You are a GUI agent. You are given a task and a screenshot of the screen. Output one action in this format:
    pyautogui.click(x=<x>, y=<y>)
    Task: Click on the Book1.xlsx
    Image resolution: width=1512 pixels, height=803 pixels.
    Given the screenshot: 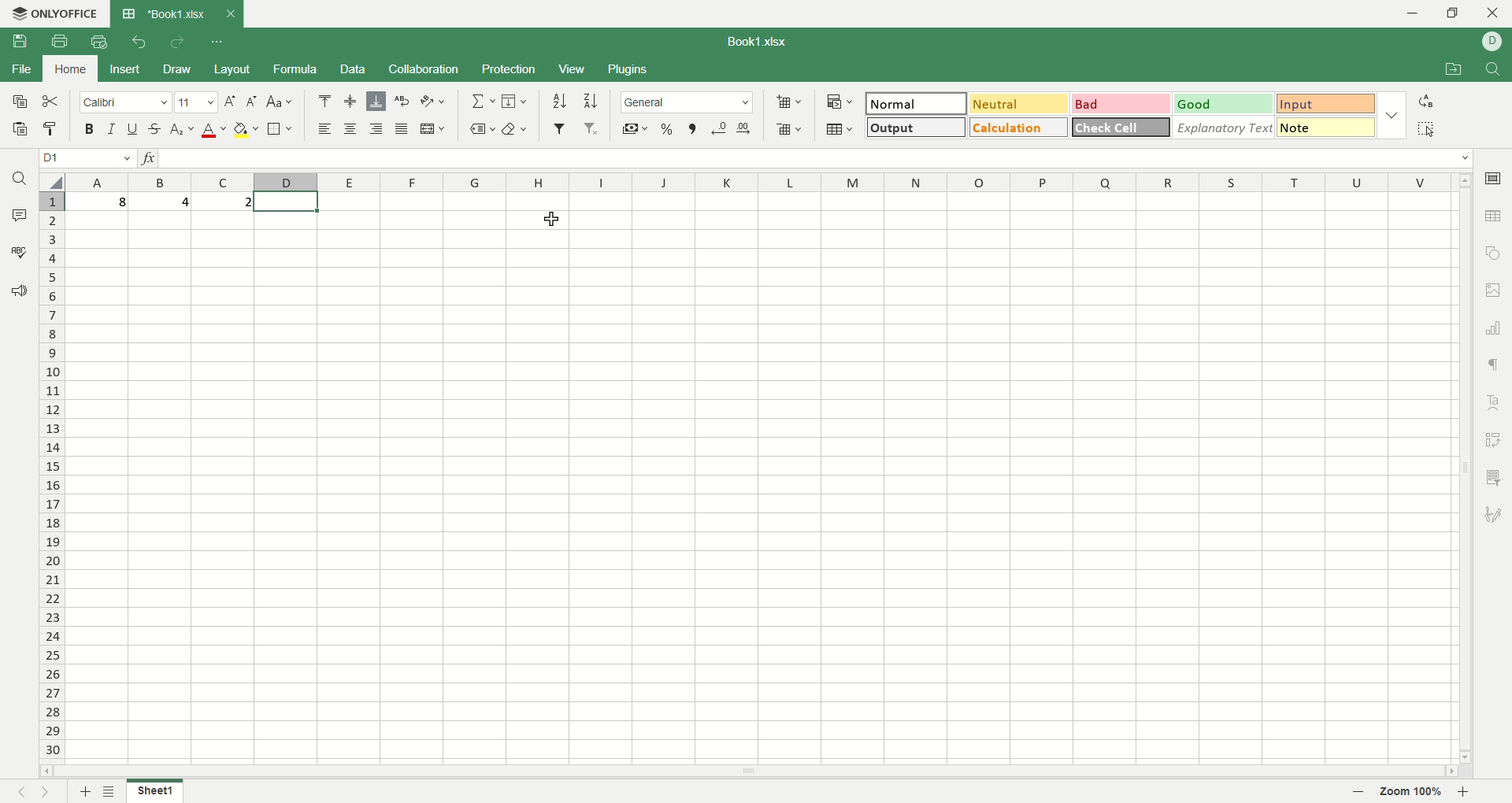 What is the action you would take?
    pyautogui.click(x=161, y=13)
    